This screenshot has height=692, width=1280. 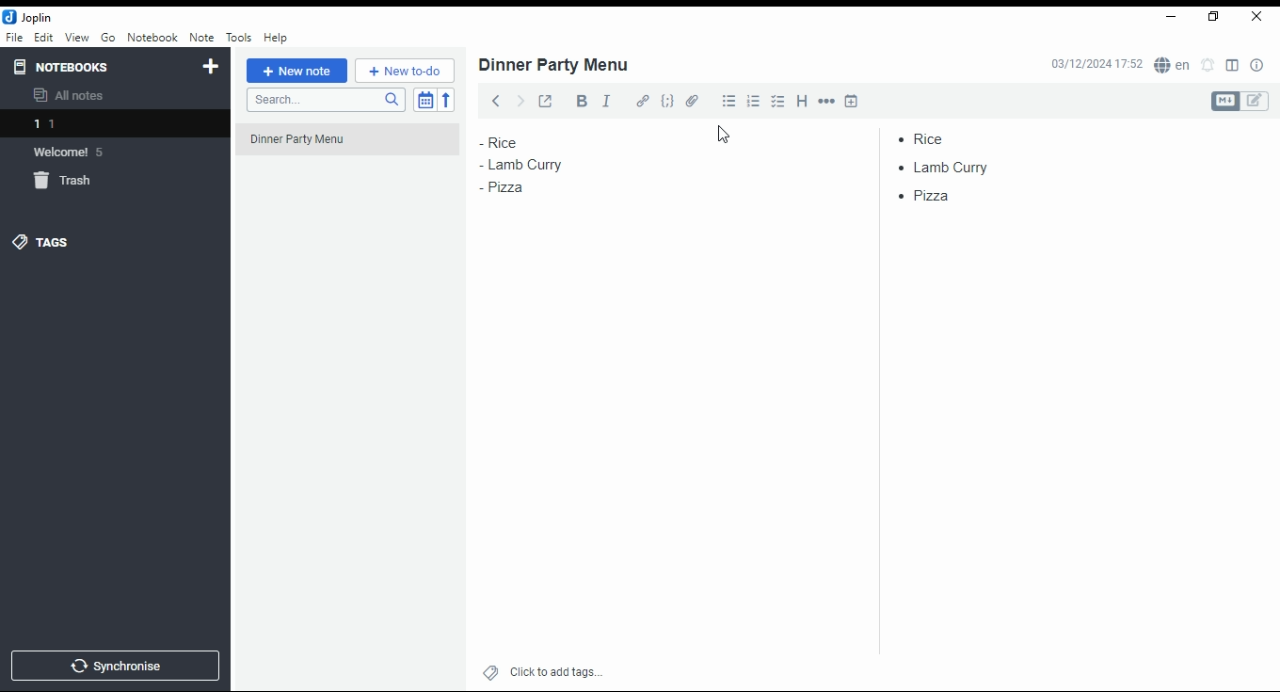 What do you see at coordinates (607, 100) in the screenshot?
I see `italics` at bounding box center [607, 100].